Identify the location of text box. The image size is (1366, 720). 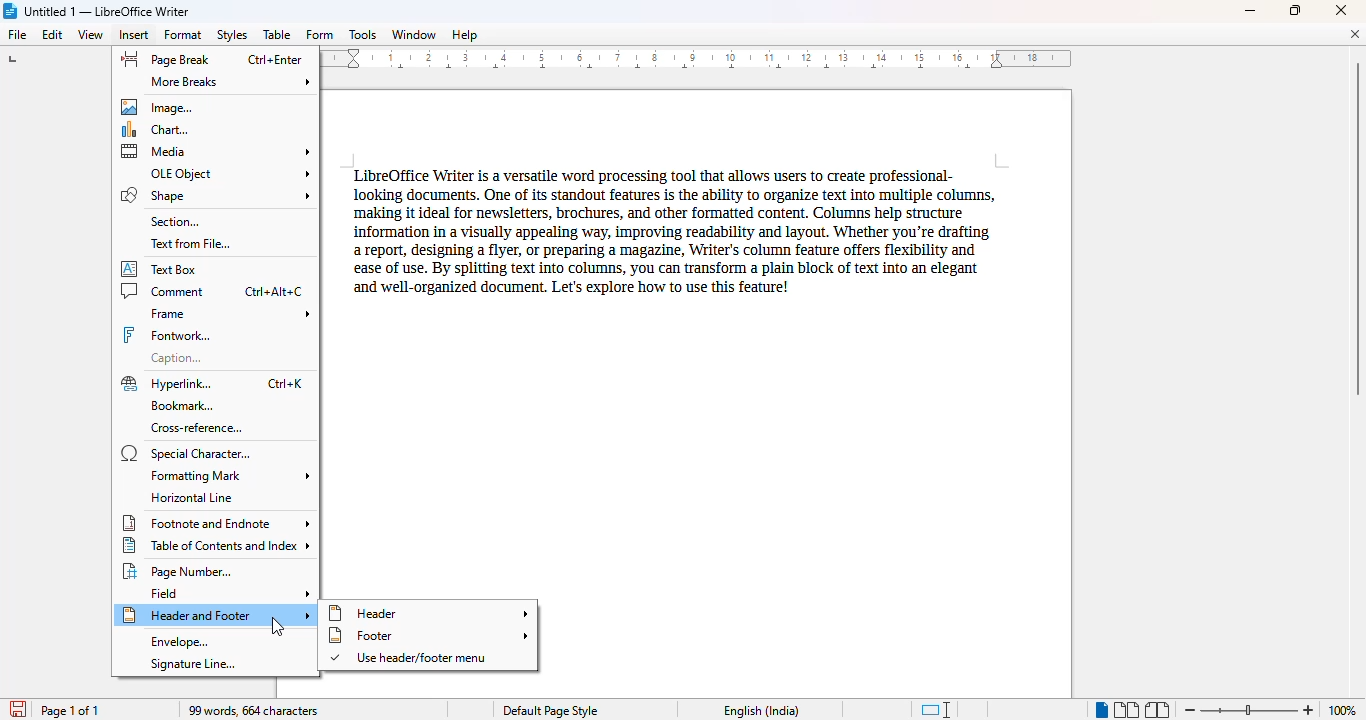
(166, 268).